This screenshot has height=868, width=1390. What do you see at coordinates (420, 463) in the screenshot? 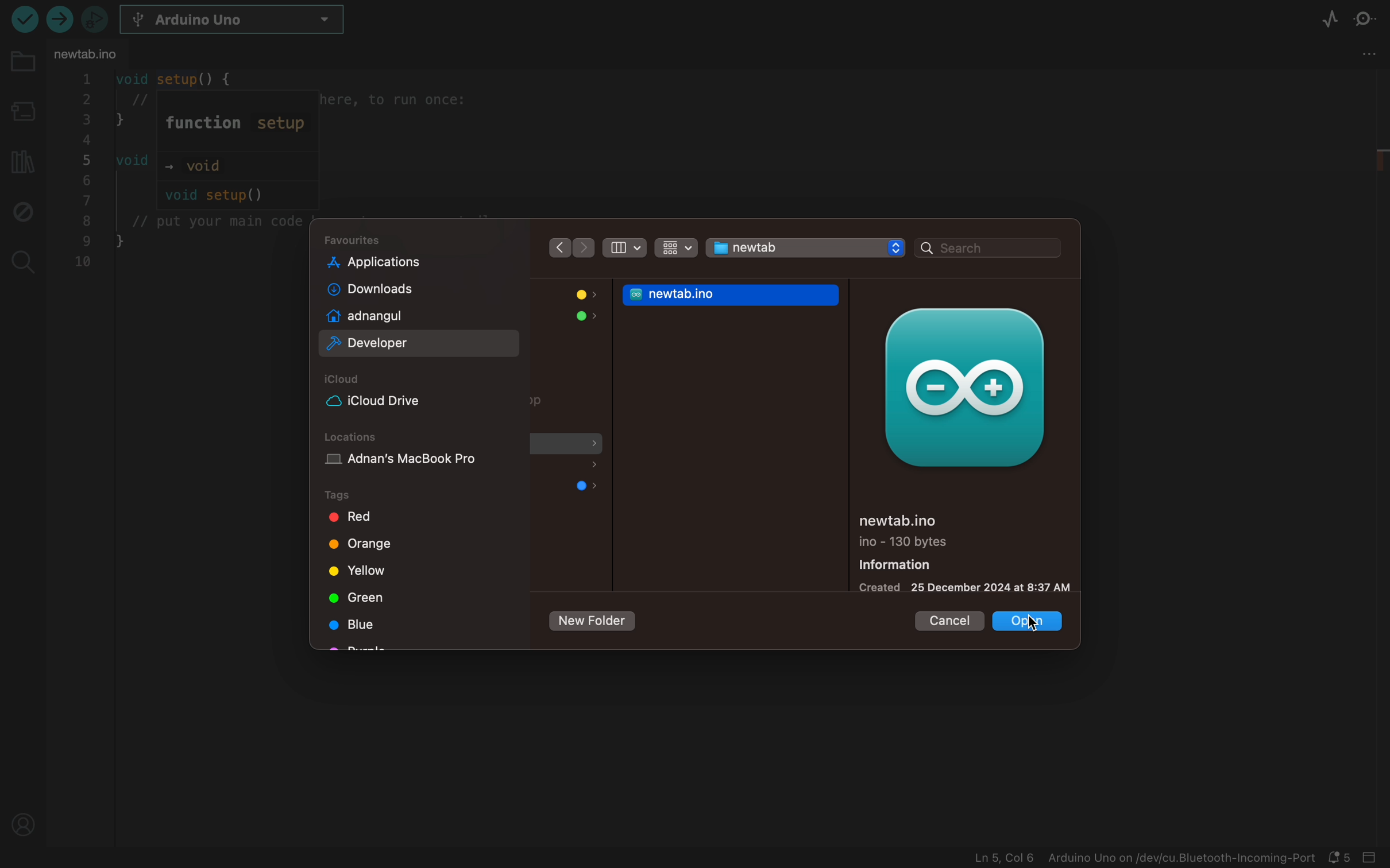
I see `adnan's mackbook pro` at bounding box center [420, 463].